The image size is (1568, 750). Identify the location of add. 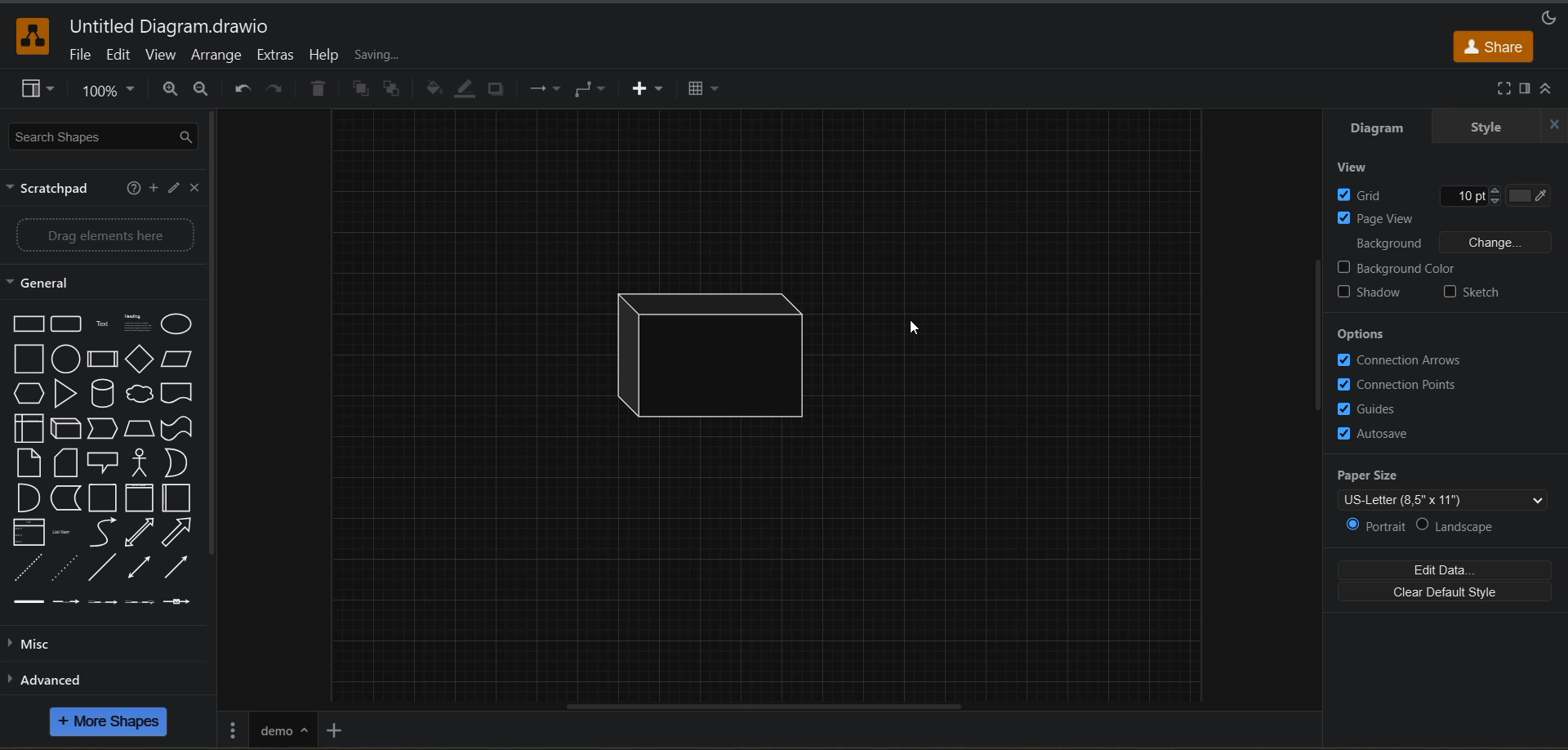
(151, 188).